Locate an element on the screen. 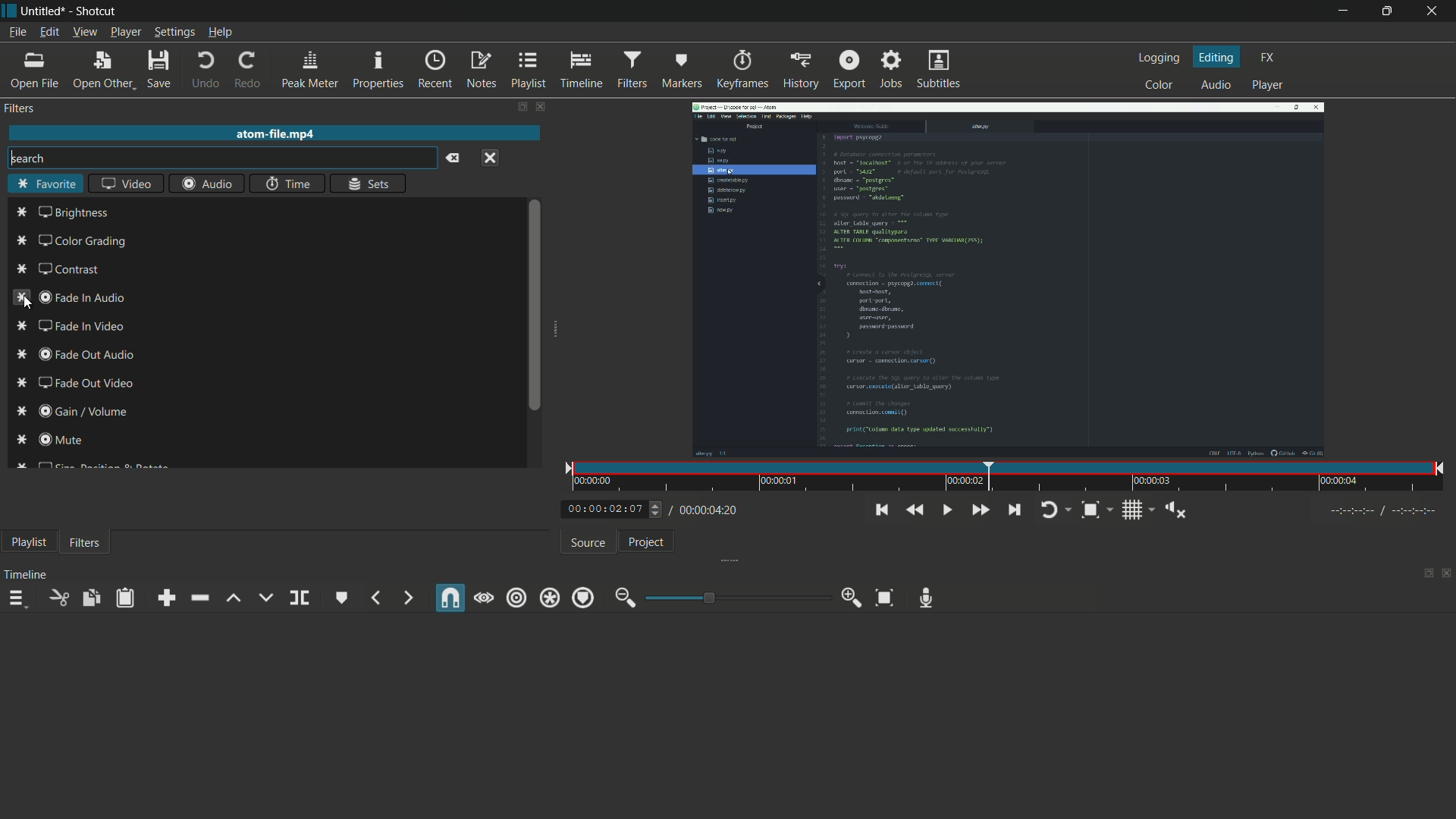  zoom out is located at coordinates (626, 598).